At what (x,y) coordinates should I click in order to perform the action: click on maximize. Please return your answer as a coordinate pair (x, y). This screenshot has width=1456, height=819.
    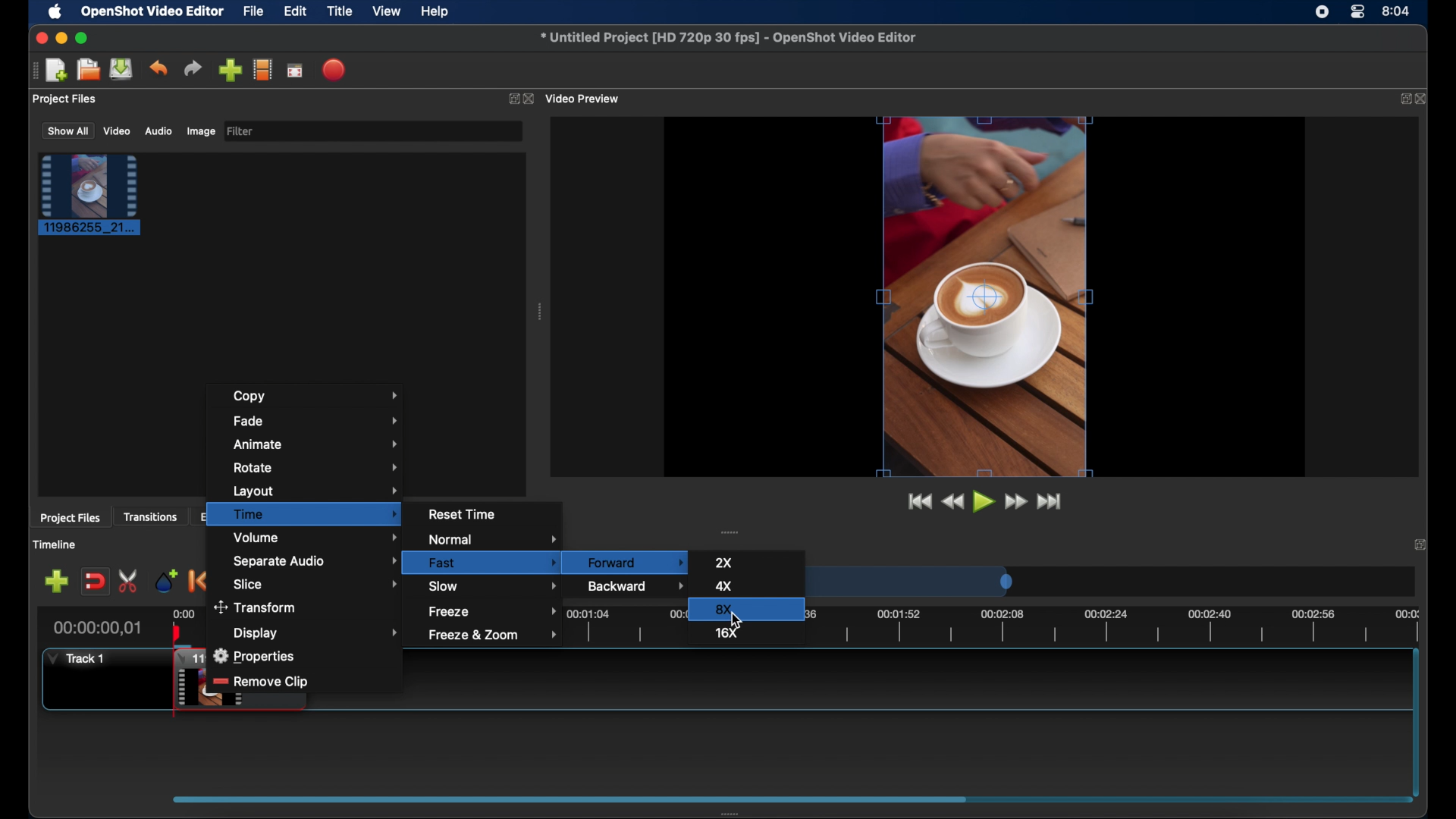
    Looking at the image, I should click on (83, 38).